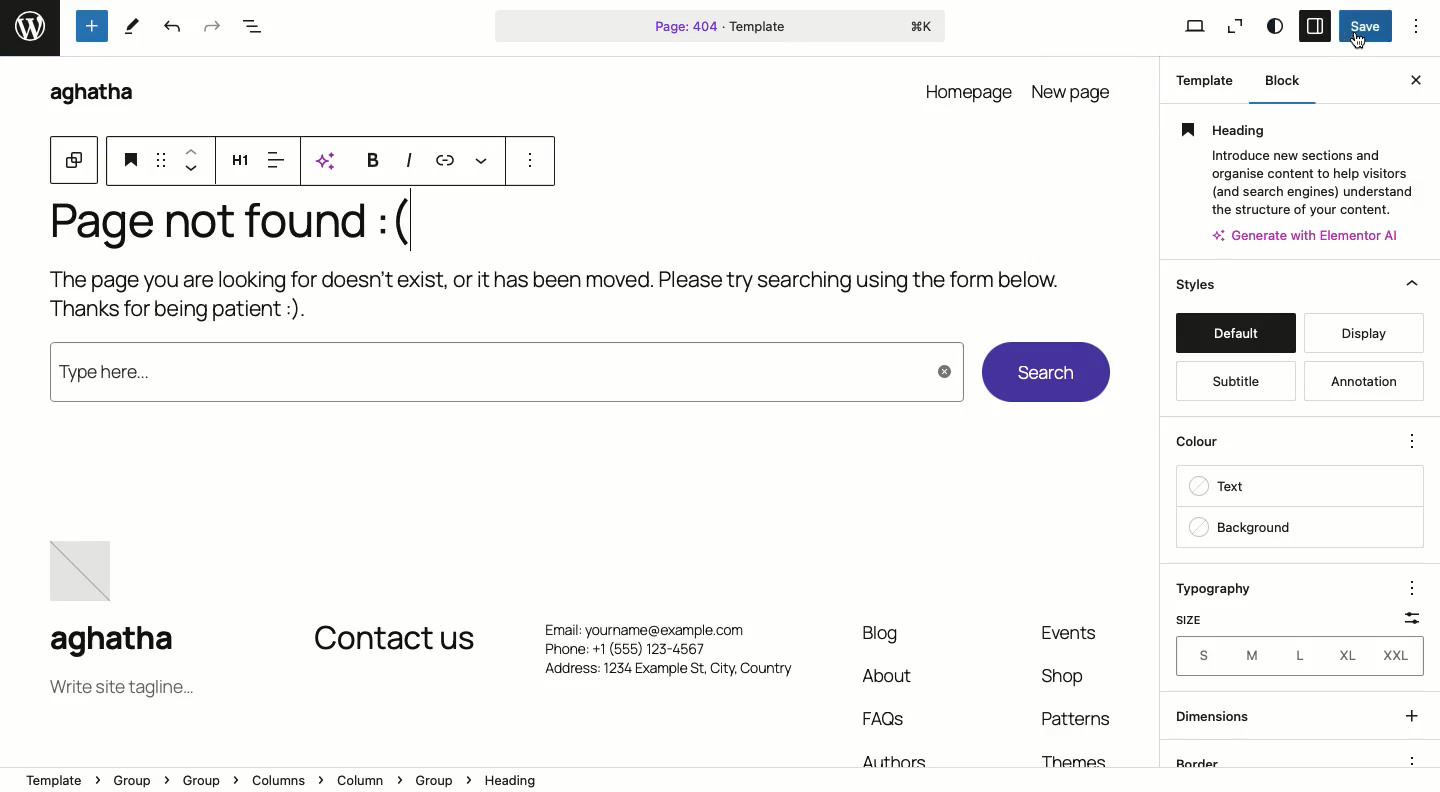 Image resolution: width=1440 pixels, height=792 pixels. What do you see at coordinates (1370, 330) in the screenshot?
I see `display` at bounding box center [1370, 330].